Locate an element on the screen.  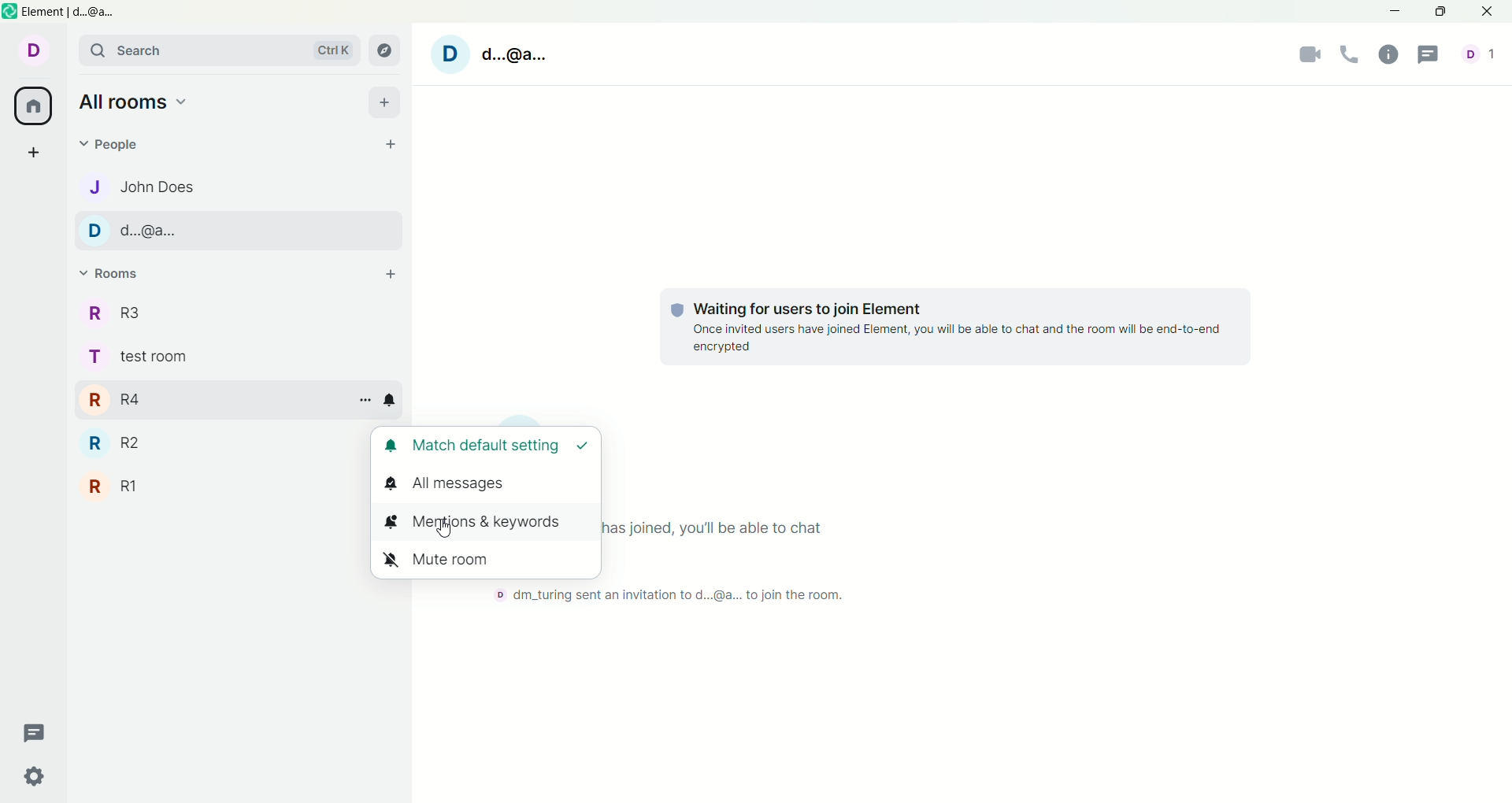
Number of people is located at coordinates (1484, 54).